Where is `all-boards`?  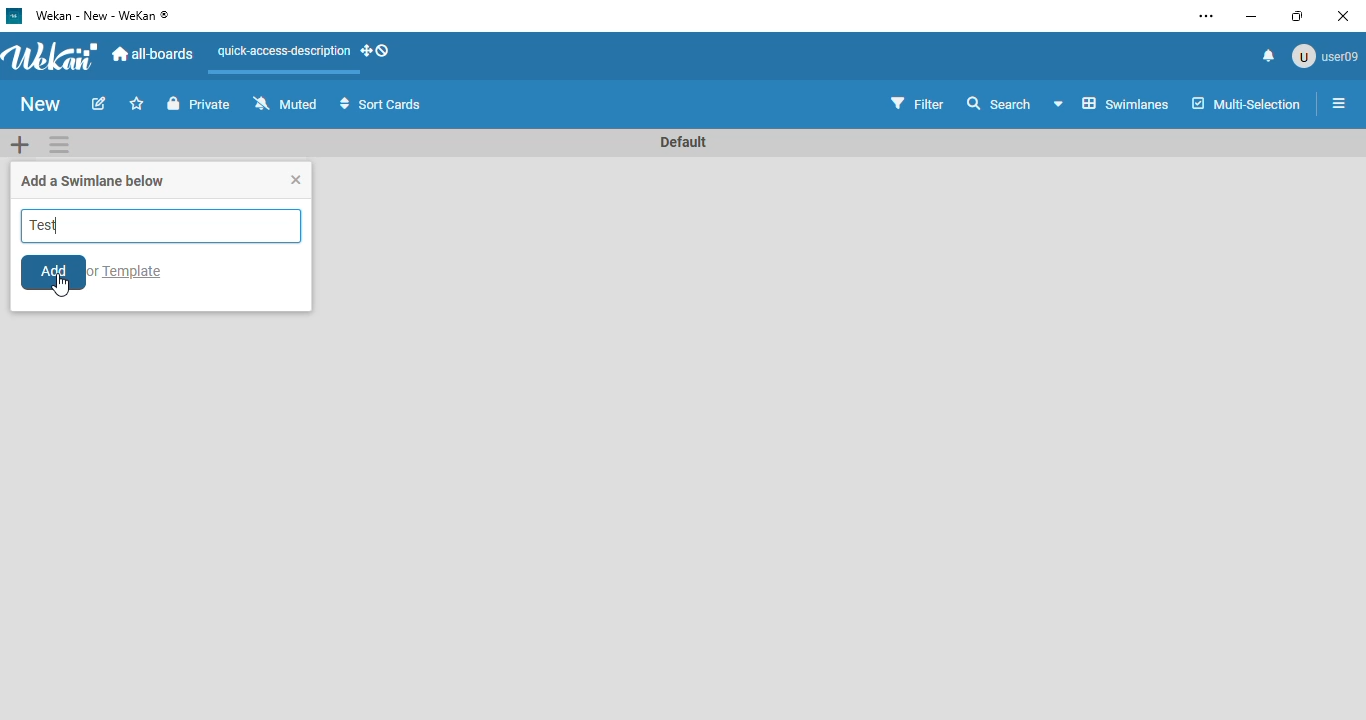 all-boards is located at coordinates (154, 54).